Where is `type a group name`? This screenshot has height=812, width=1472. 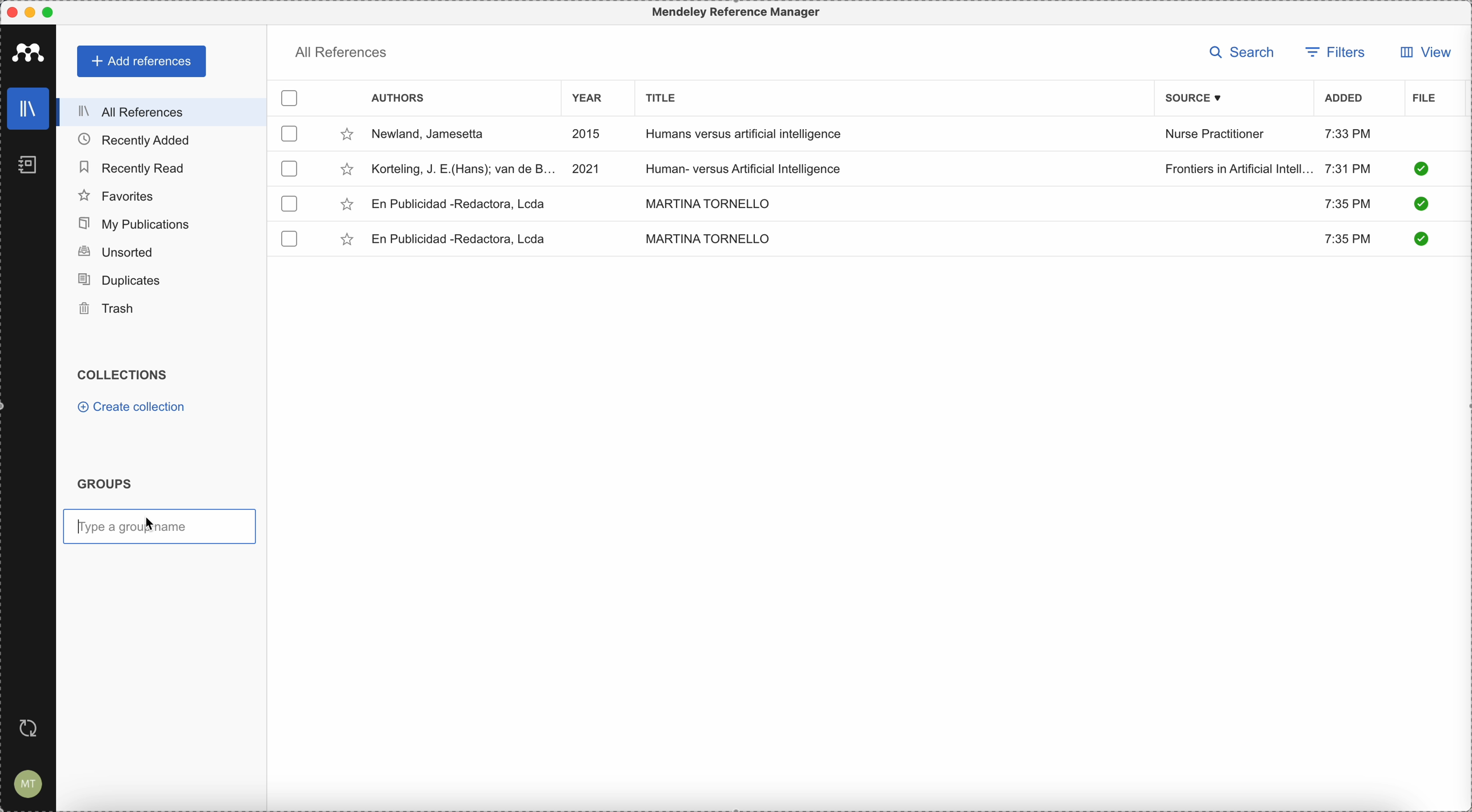
type a group name is located at coordinates (101, 525).